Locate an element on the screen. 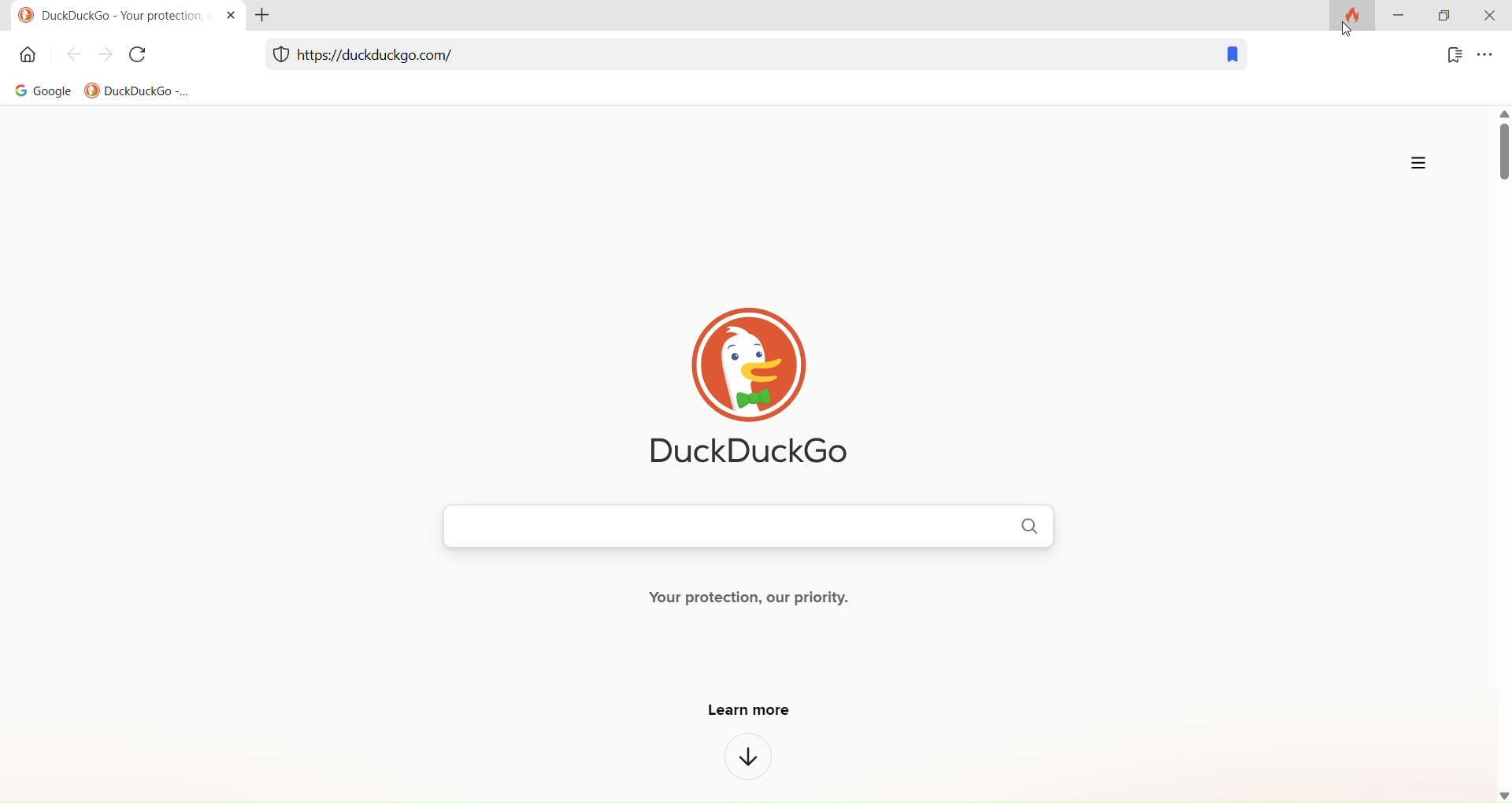  bookmark menu is located at coordinates (1448, 58).